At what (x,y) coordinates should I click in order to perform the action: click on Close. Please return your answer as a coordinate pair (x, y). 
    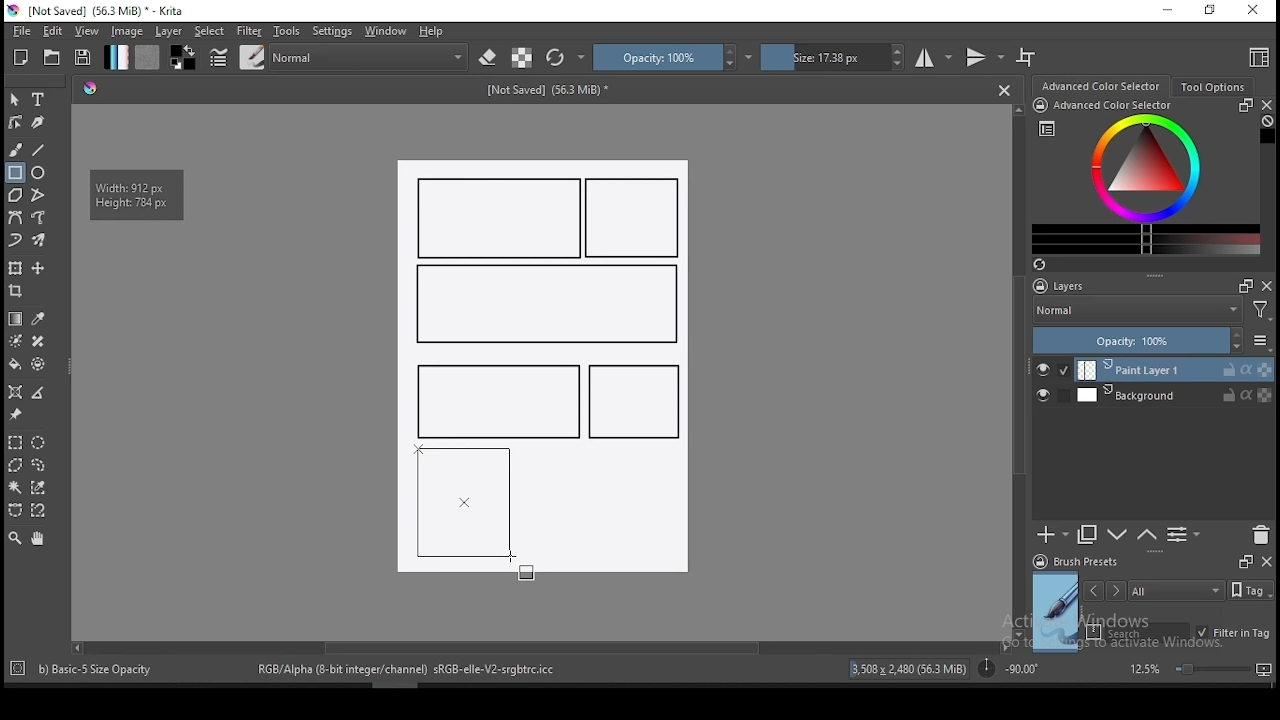
    Looking at the image, I should click on (1004, 89).